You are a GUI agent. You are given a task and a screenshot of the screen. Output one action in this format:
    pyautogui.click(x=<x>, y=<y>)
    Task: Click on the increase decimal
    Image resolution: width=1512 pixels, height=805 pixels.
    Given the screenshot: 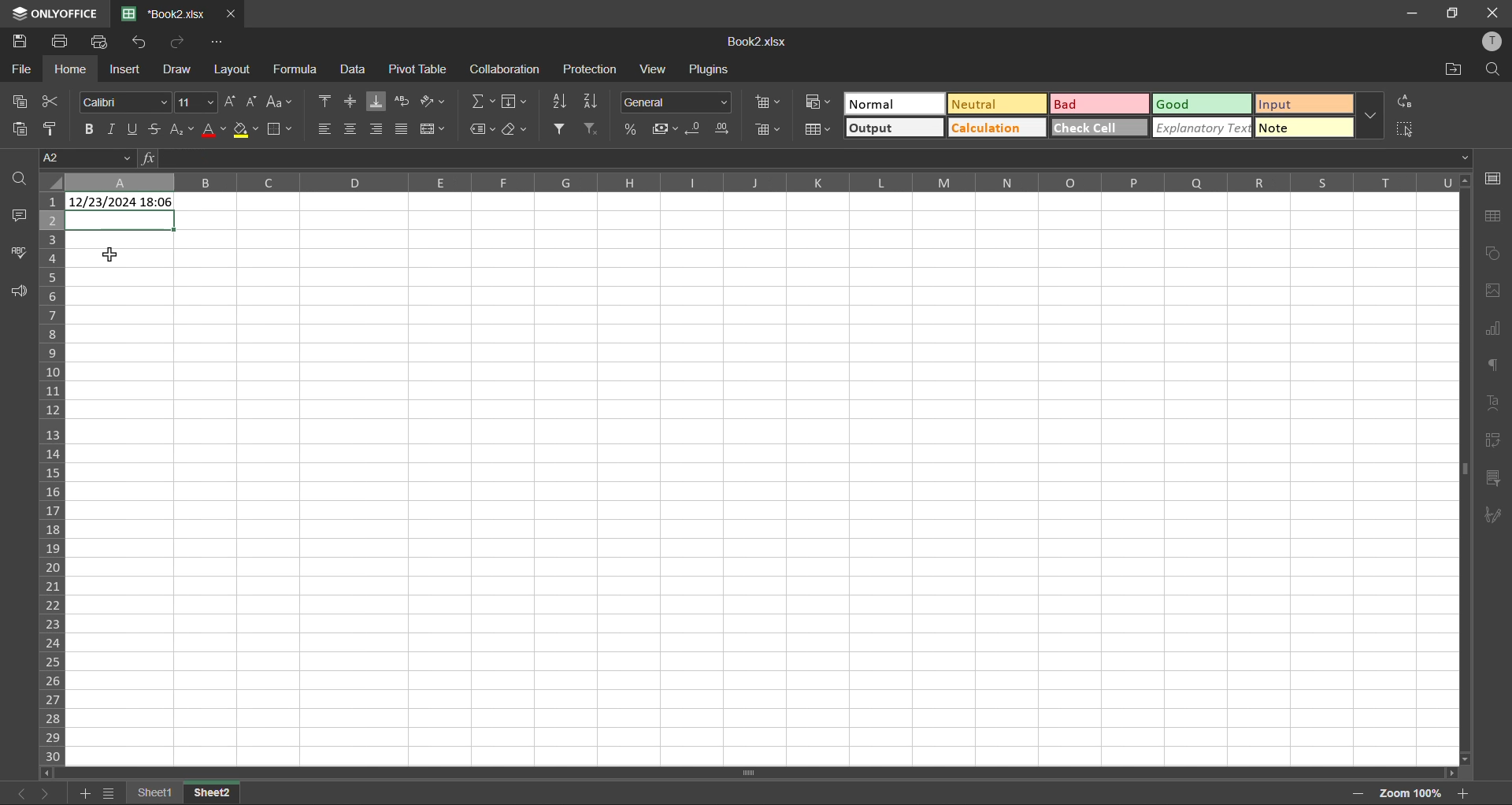 What is the action you would take?
    pyautogui.click(x=726, y=129)
    